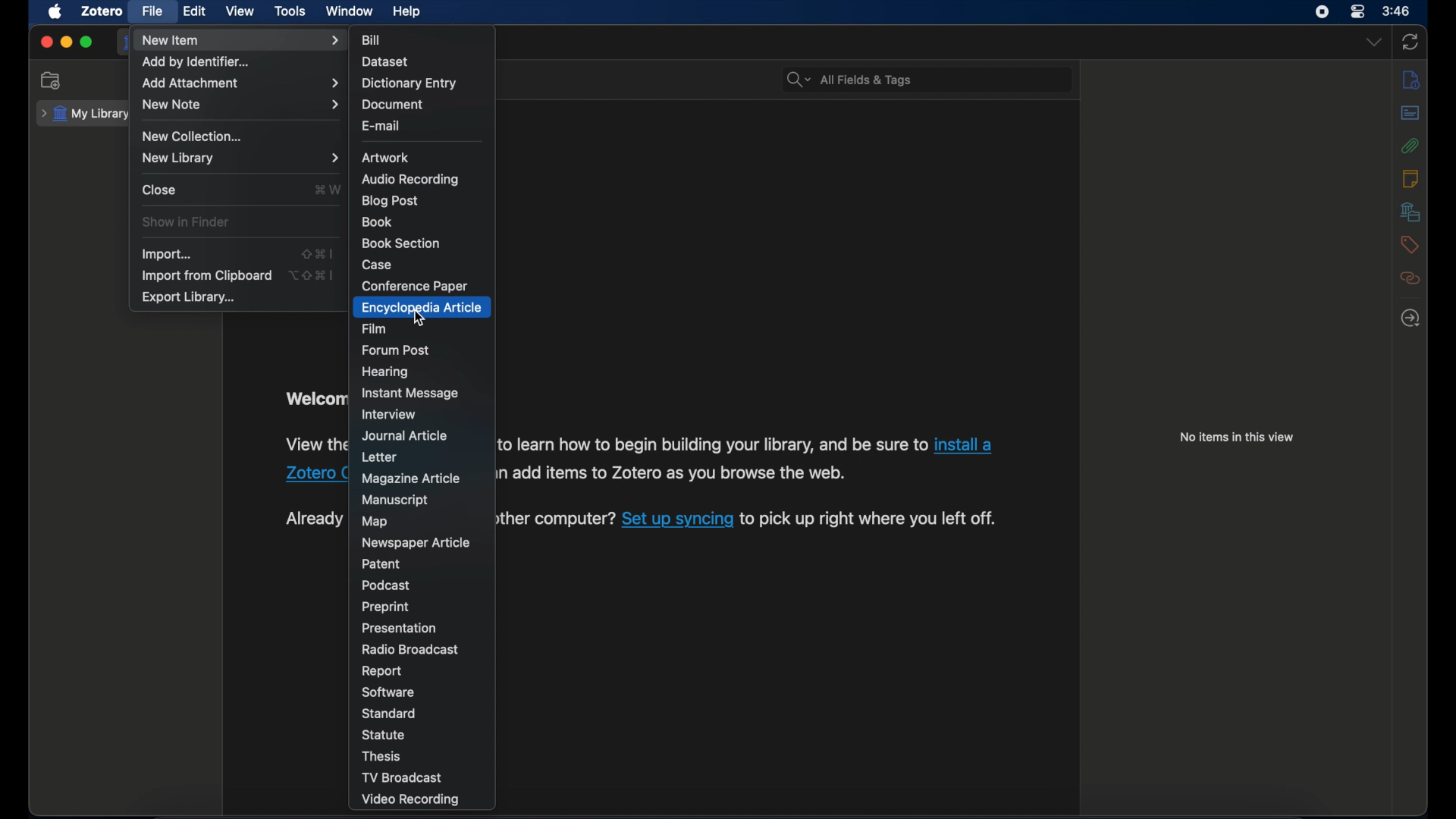 This screenshot has height=819, width=1456. What do you see at coordinates (388, 158) in the screenshot?
I see `artwork` at bounding box center [388, 158].